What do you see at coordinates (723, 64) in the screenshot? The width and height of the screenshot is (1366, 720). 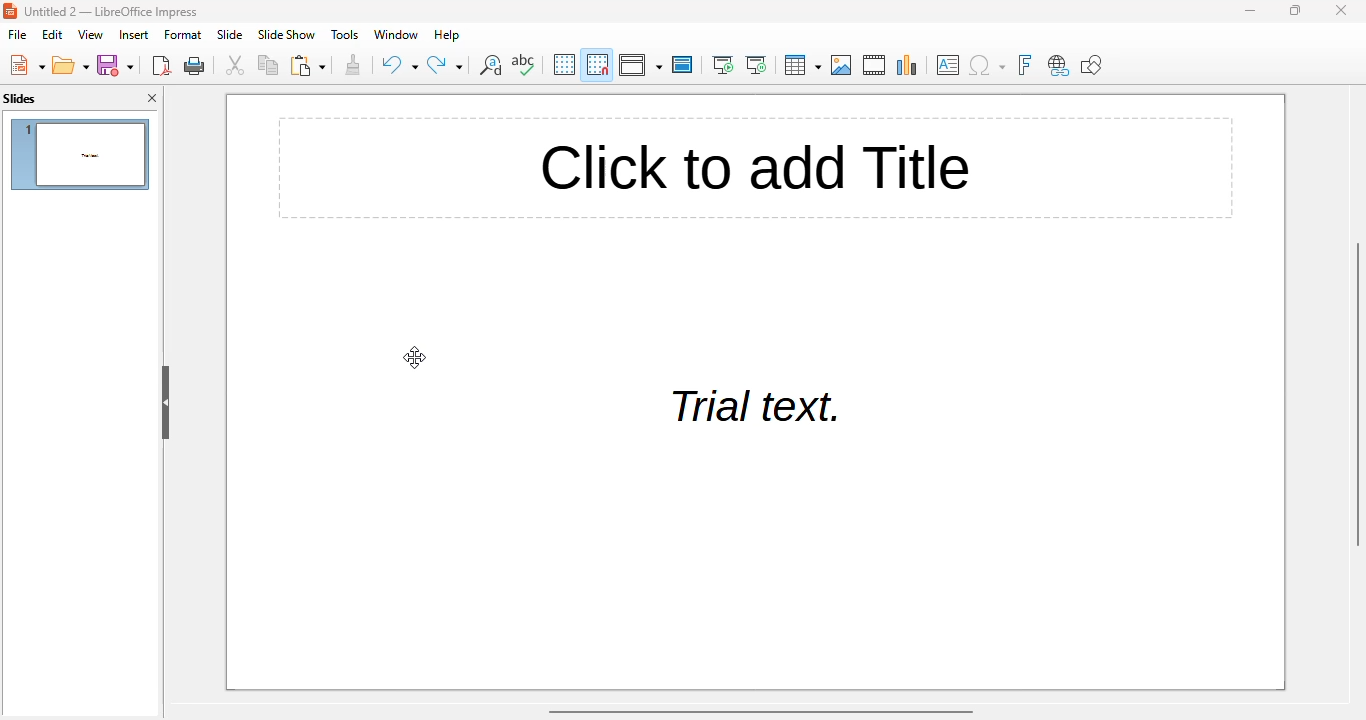 I see `start from first slide` at bounding box center [723, 64].